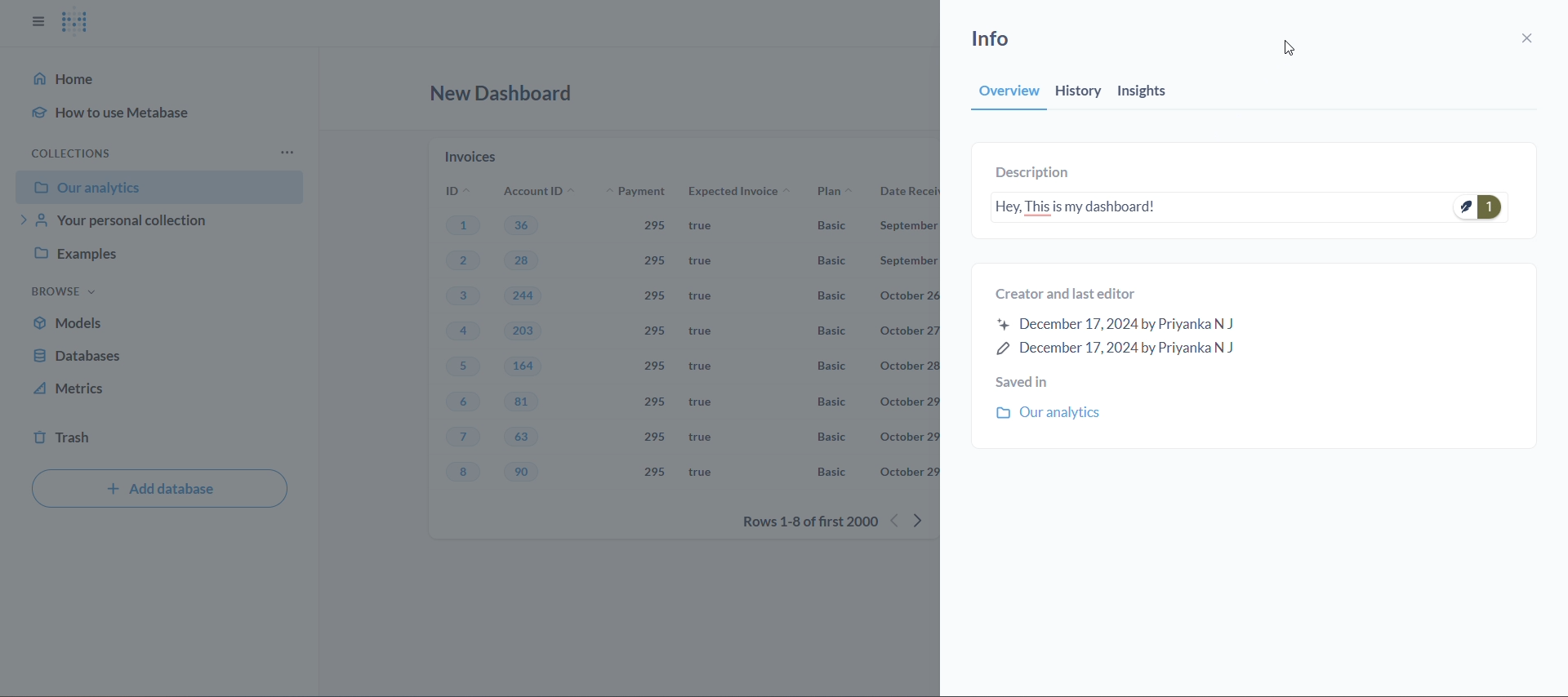 This screenshot has width=1568, height=697. Describe the element at coordinates (1297, 51) in the screenshot. I see `cursor` at that location.